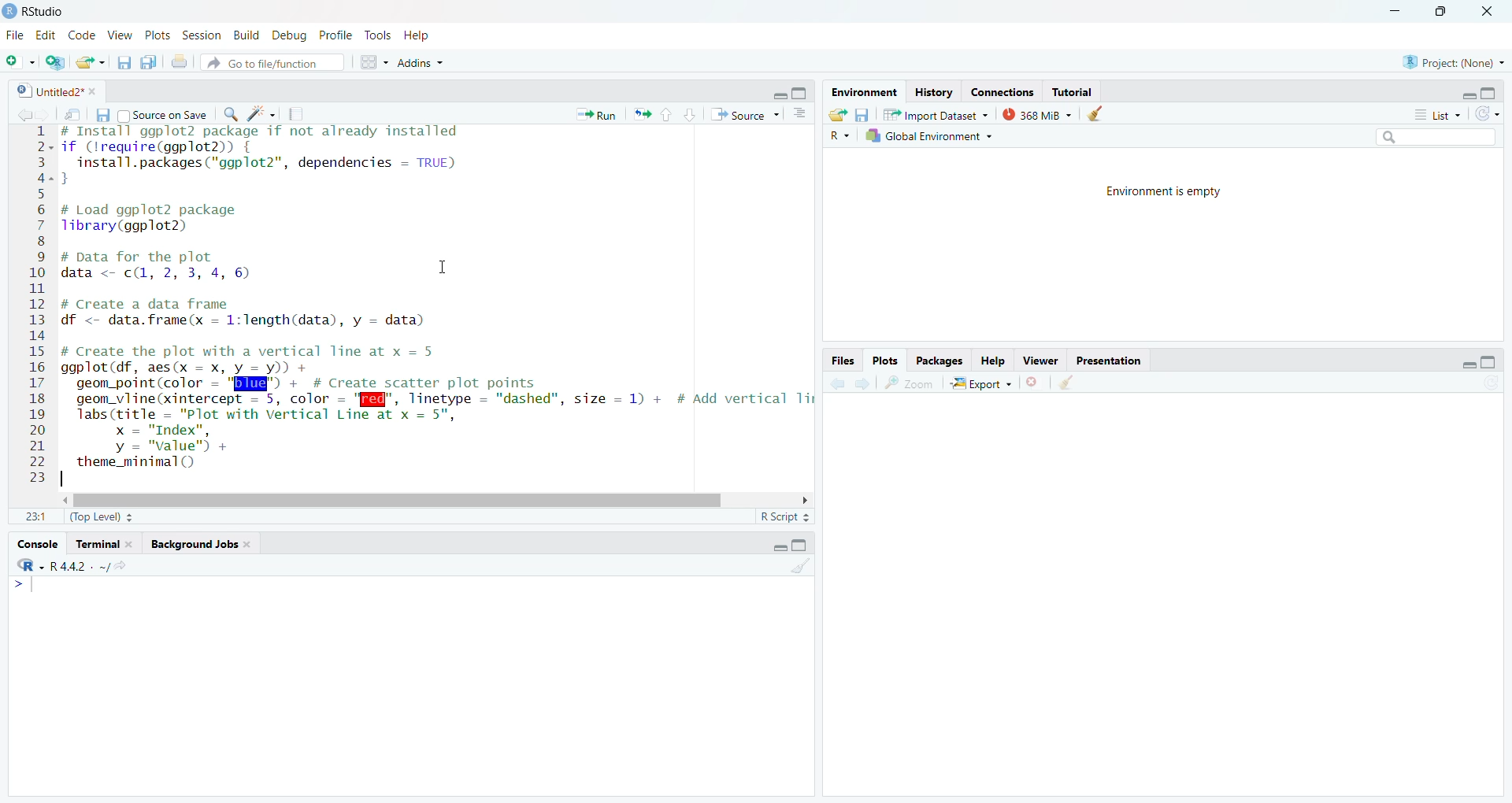  What do you see at coordinates (159, 37) in the screenshot?
I see `v Plots` at bounding box center [159, 37].